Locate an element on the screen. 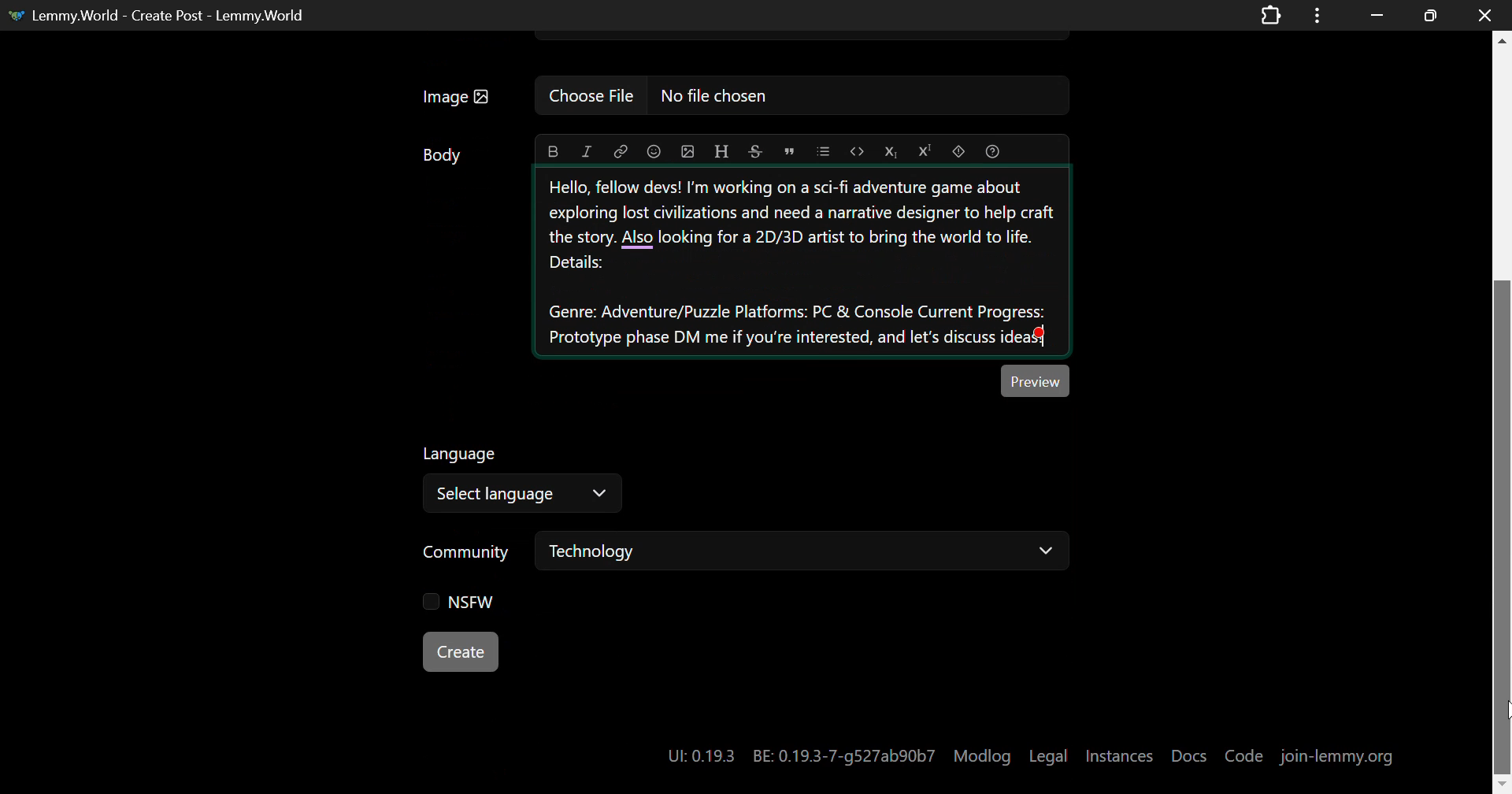 The image size is (1512, 794). Hello, fellow devs! I'm working on a sci-fi adventure game about exploring lost civilizations and need a narrative designer to help craft the story. Also looking for a 2D/3D artist to bring the world to life. Details: Genre: Adventure/Puzzle Platforms: PC & Console Current Progress: Prototype phase DM me if you're interested, and let's discuss ideas. is located at coordinates (803, 262).